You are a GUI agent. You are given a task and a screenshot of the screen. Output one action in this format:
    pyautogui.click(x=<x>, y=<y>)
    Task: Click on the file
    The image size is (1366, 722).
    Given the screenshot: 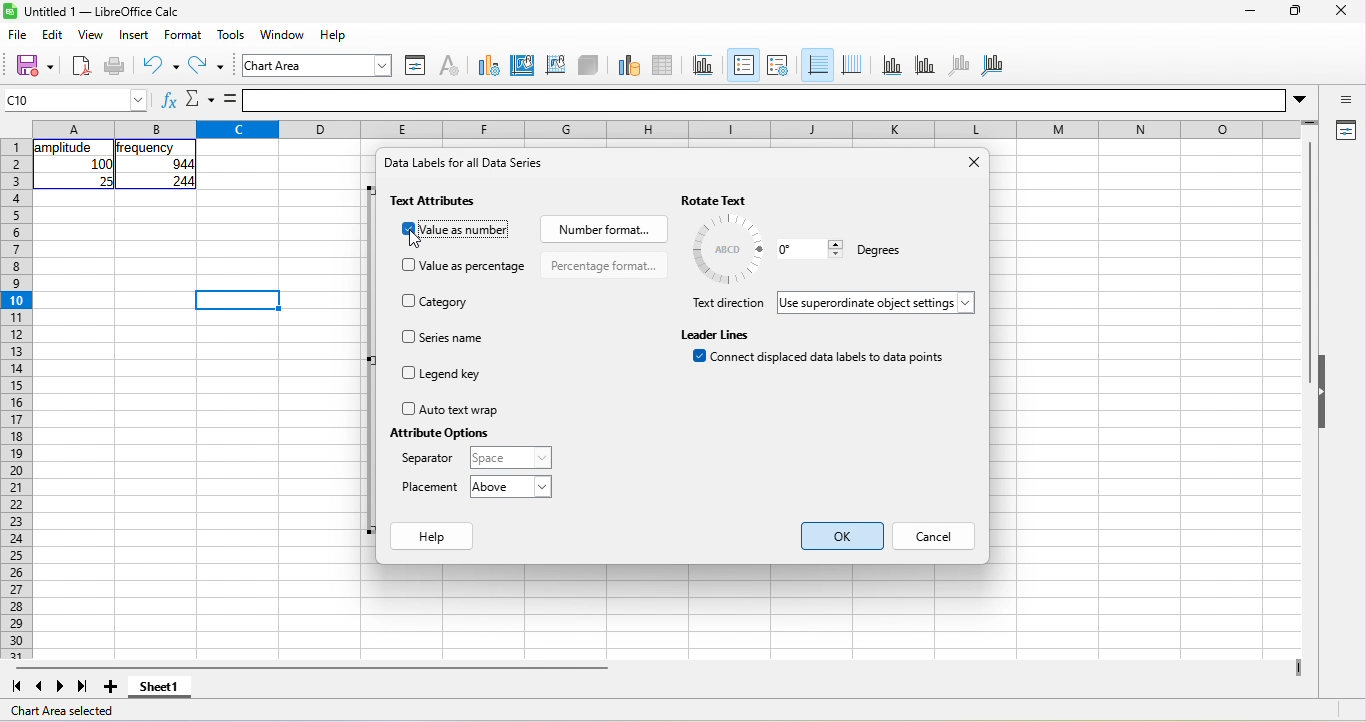 What is the action you would take?
    pyautogui.click(x=19, y=36)
    